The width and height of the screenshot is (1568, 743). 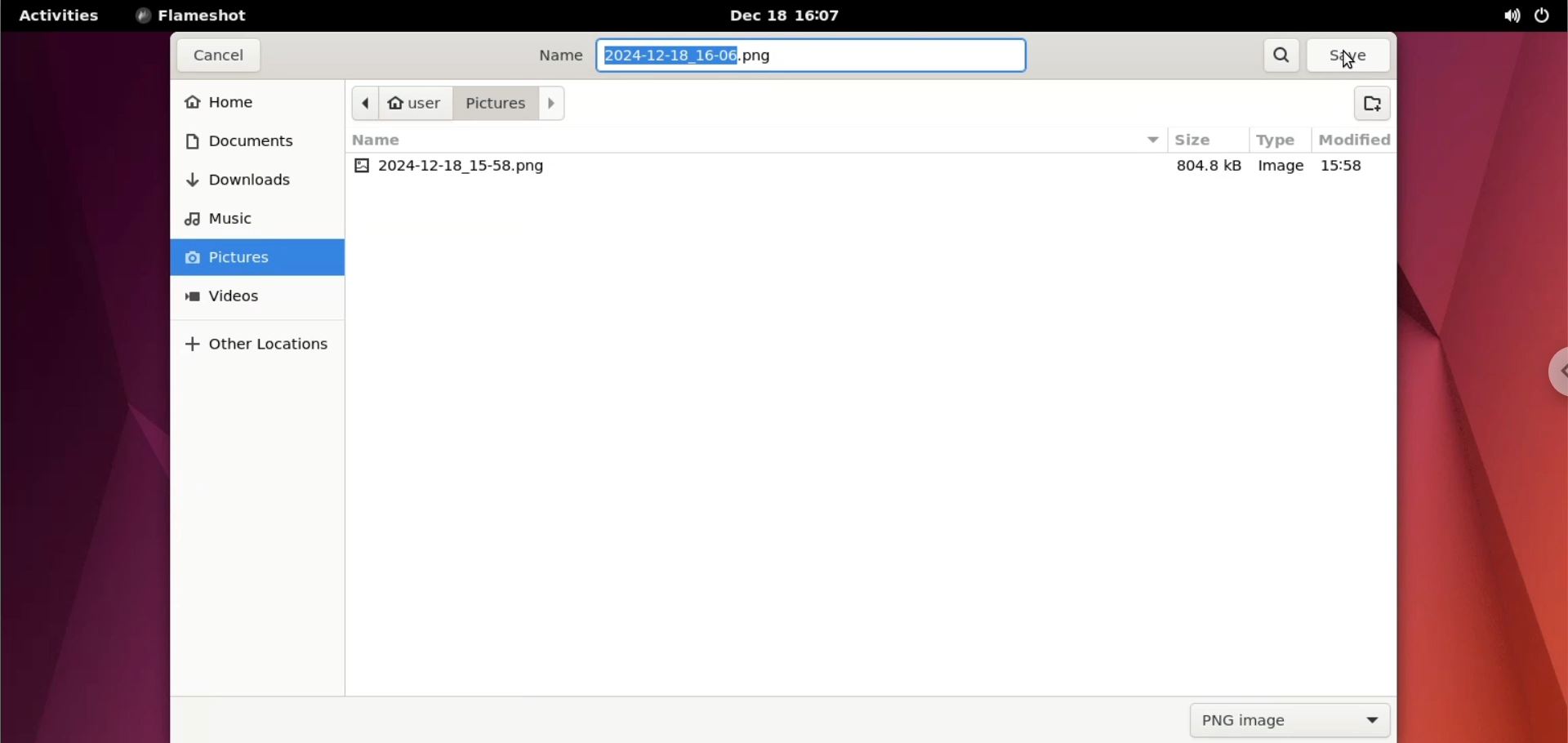 I want to click on user , so click(x=415, y=104).